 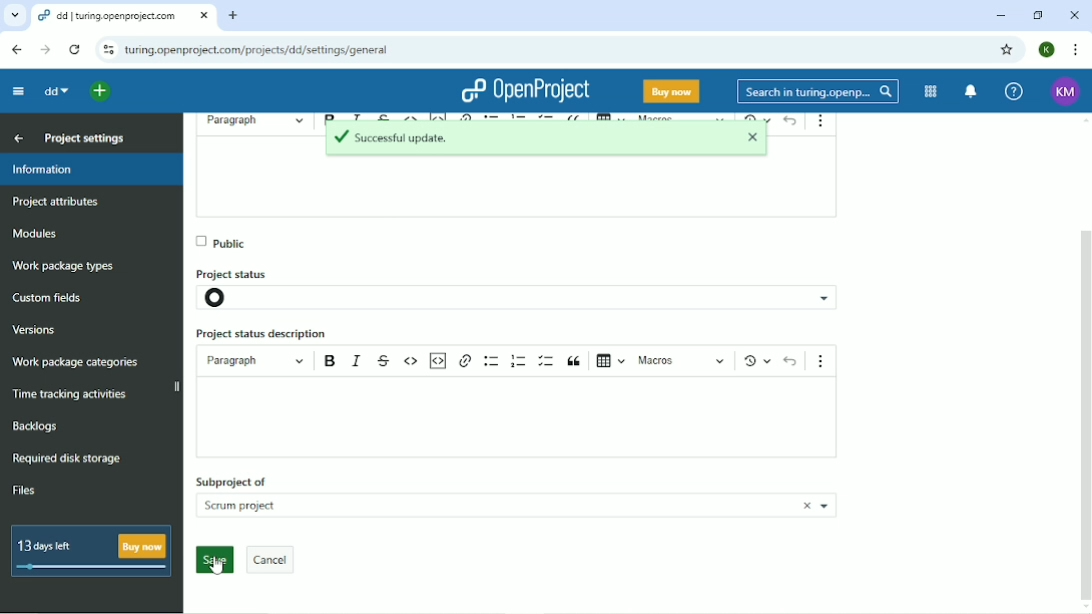 I want to click on K, so click(x=1047, y=50).